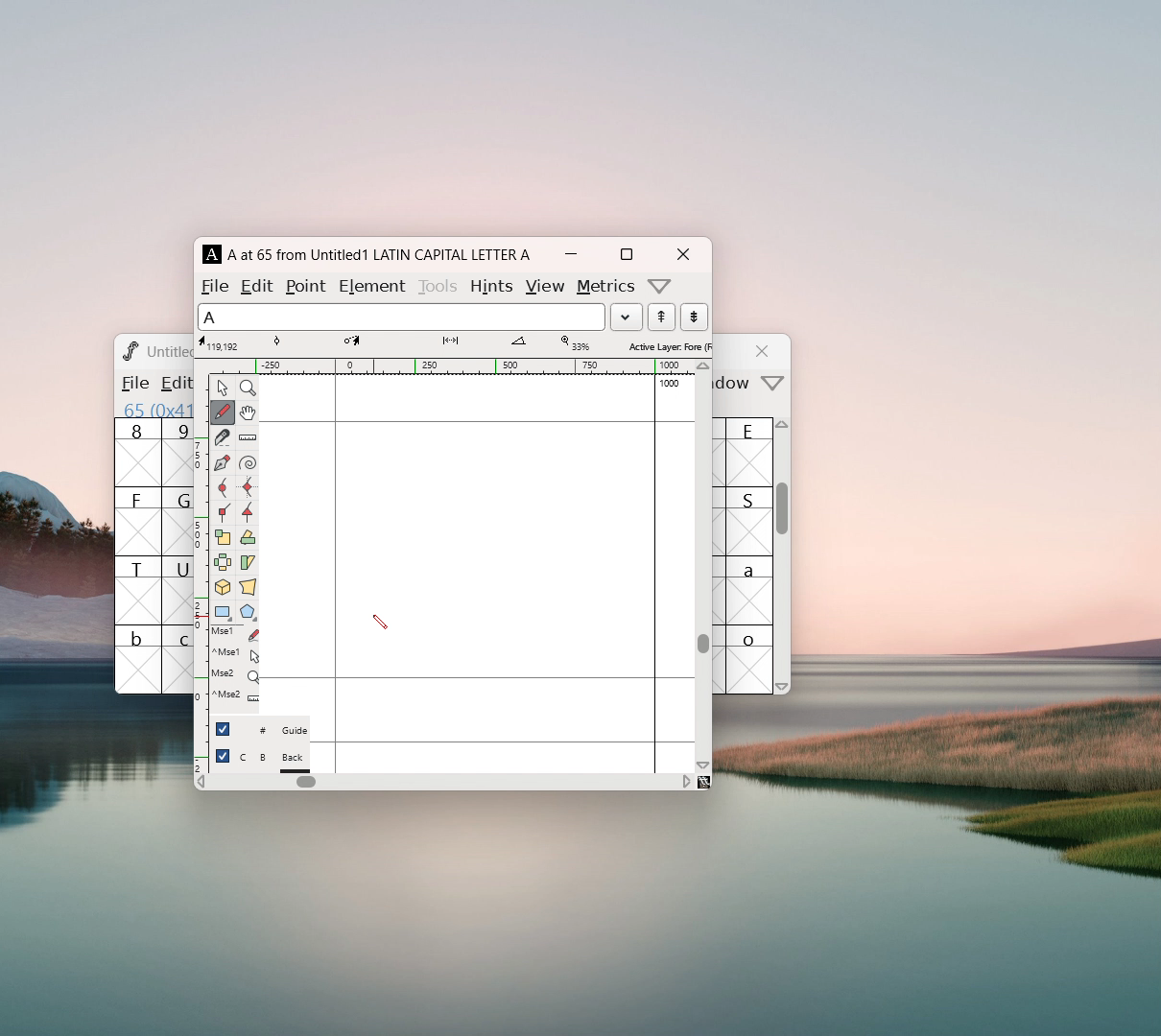  Describe the element at coordinates (490, 286) in the screenshot. I see `hints` at that location.